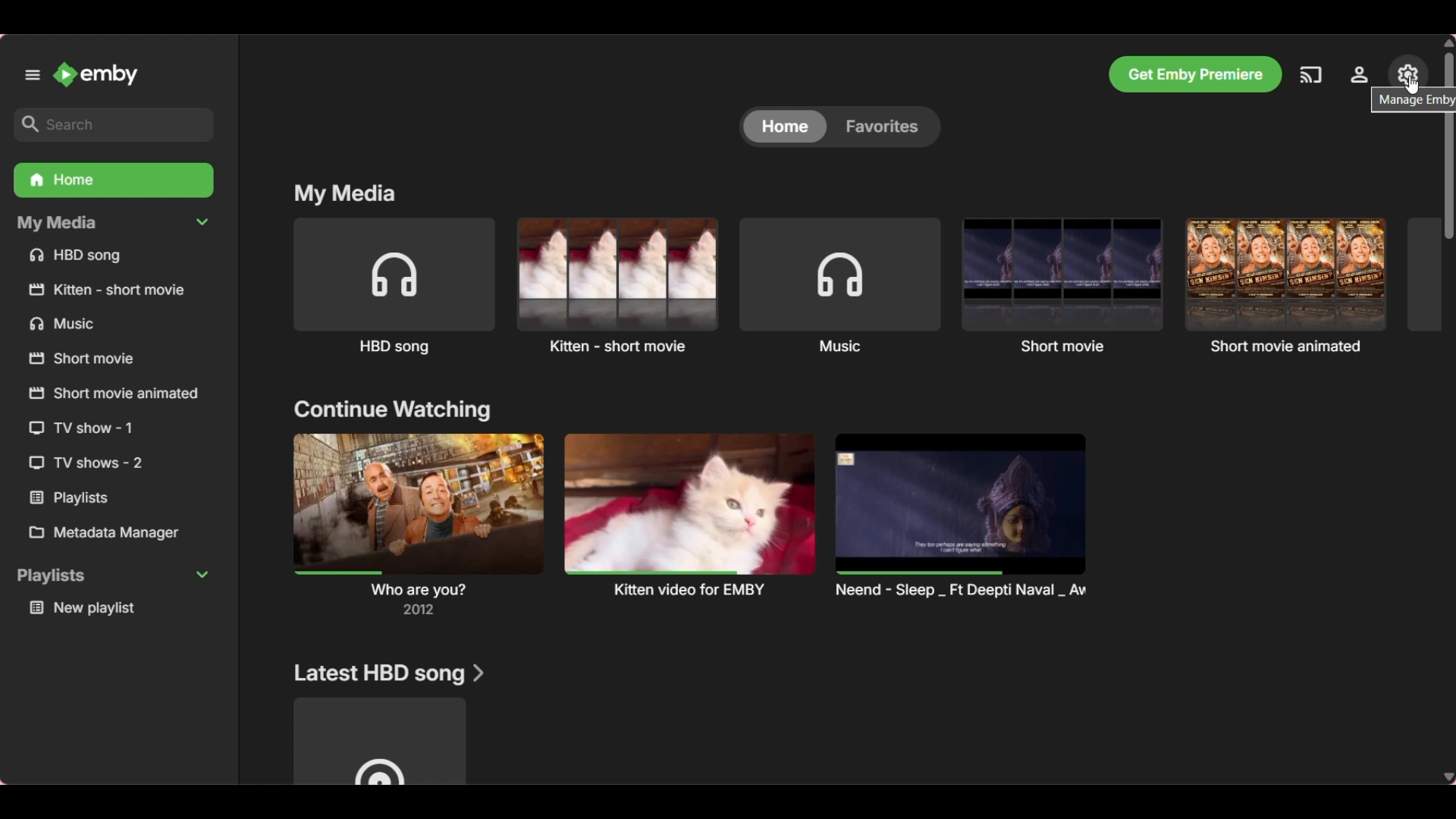 The height and width of the screenshot is (819, 1456). Describe the element at coordinates (387, 673) in the screenshot. I see `Section title` at that location.